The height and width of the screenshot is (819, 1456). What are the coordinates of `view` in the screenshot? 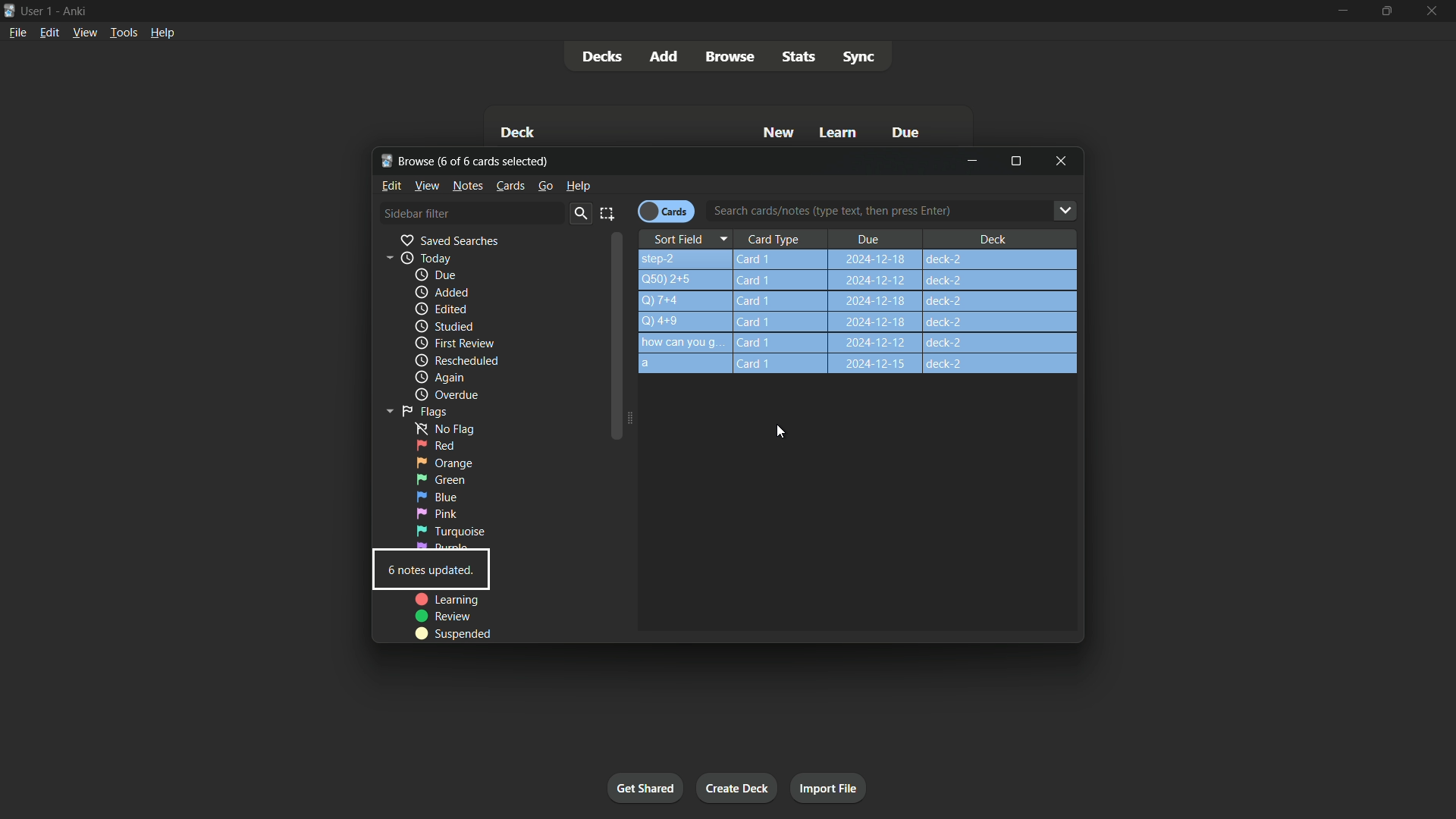 It's located at (428, 185).